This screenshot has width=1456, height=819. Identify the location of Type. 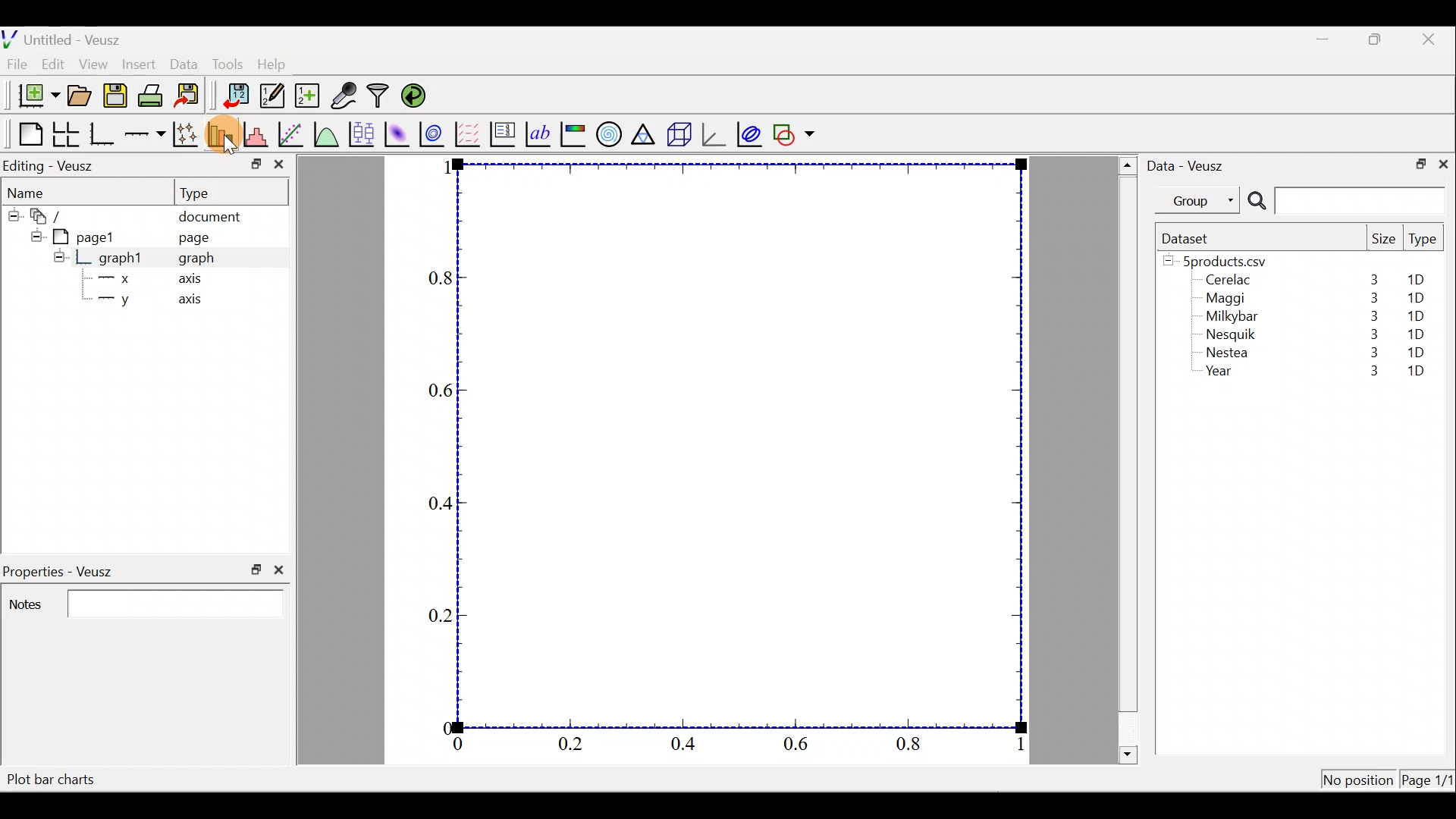
(209, 192).